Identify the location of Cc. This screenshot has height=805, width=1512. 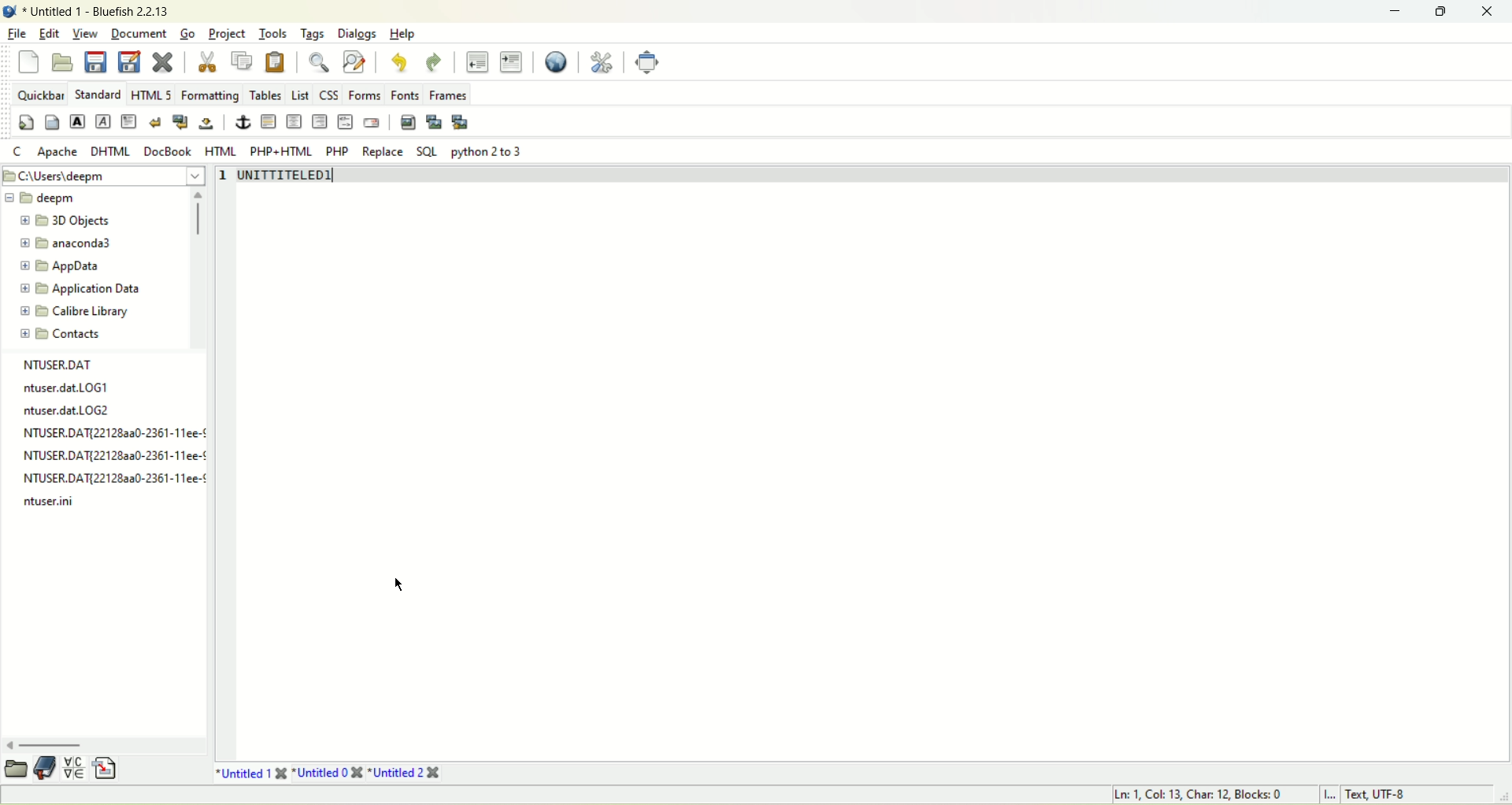
(17, 150).